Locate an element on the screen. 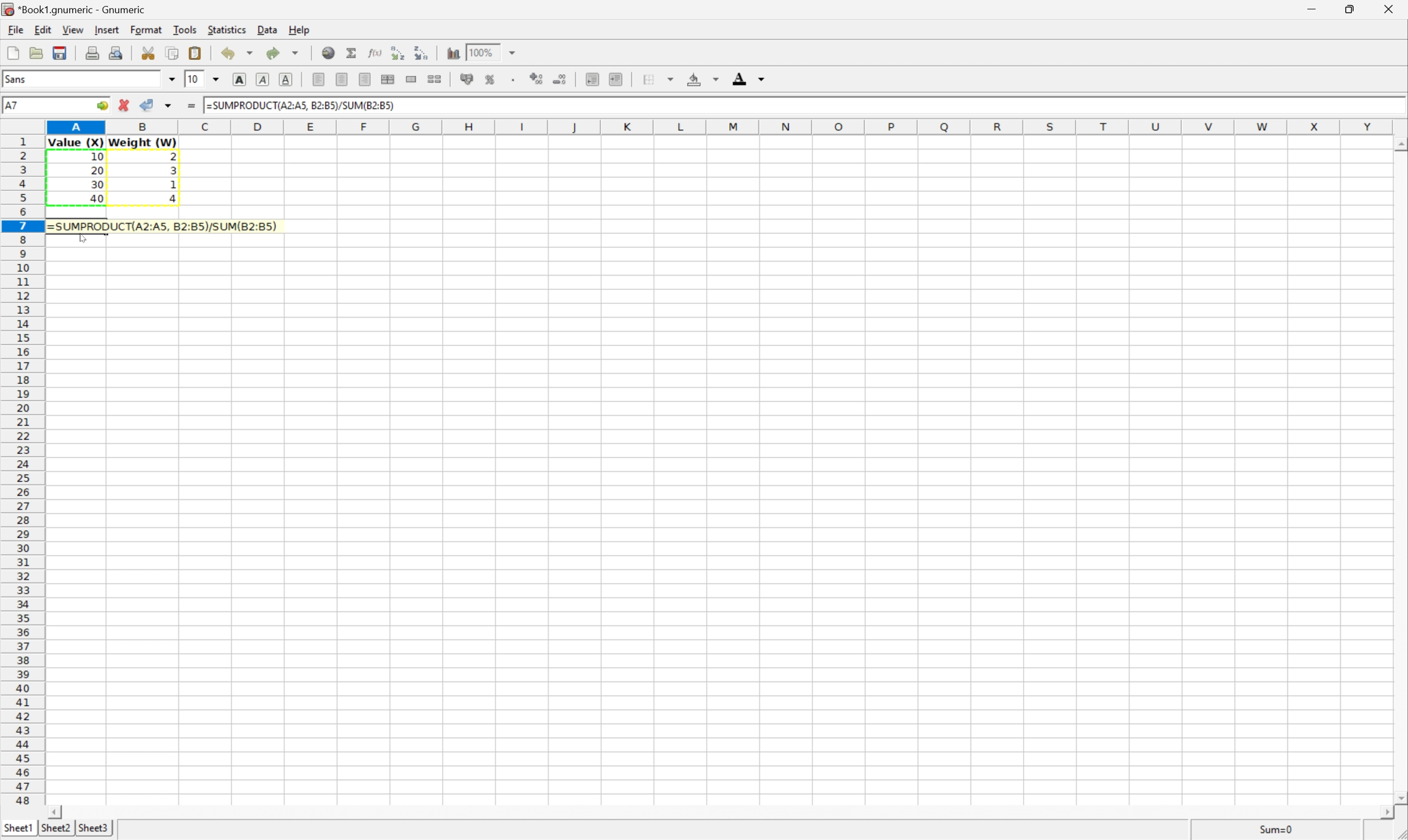 The height and width of the screenshot is (840, 1408). Italic is located at coordinates (264, 78).